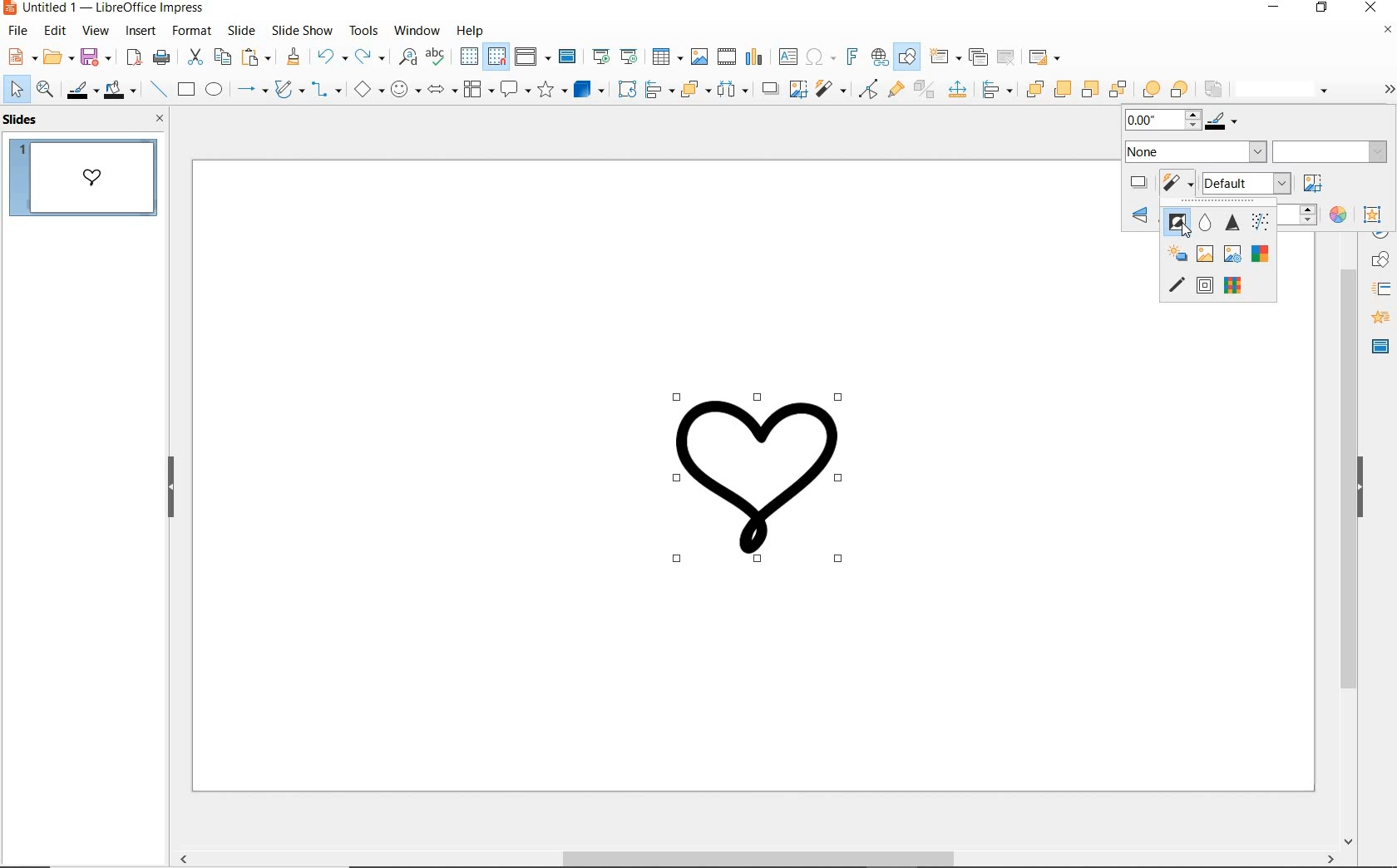 The width and height of the screenshot is (1397, 868). What do you see at coordinates (367, 91) in the screenshot?
I see `basic shapes` at bounding box center [367, 91].